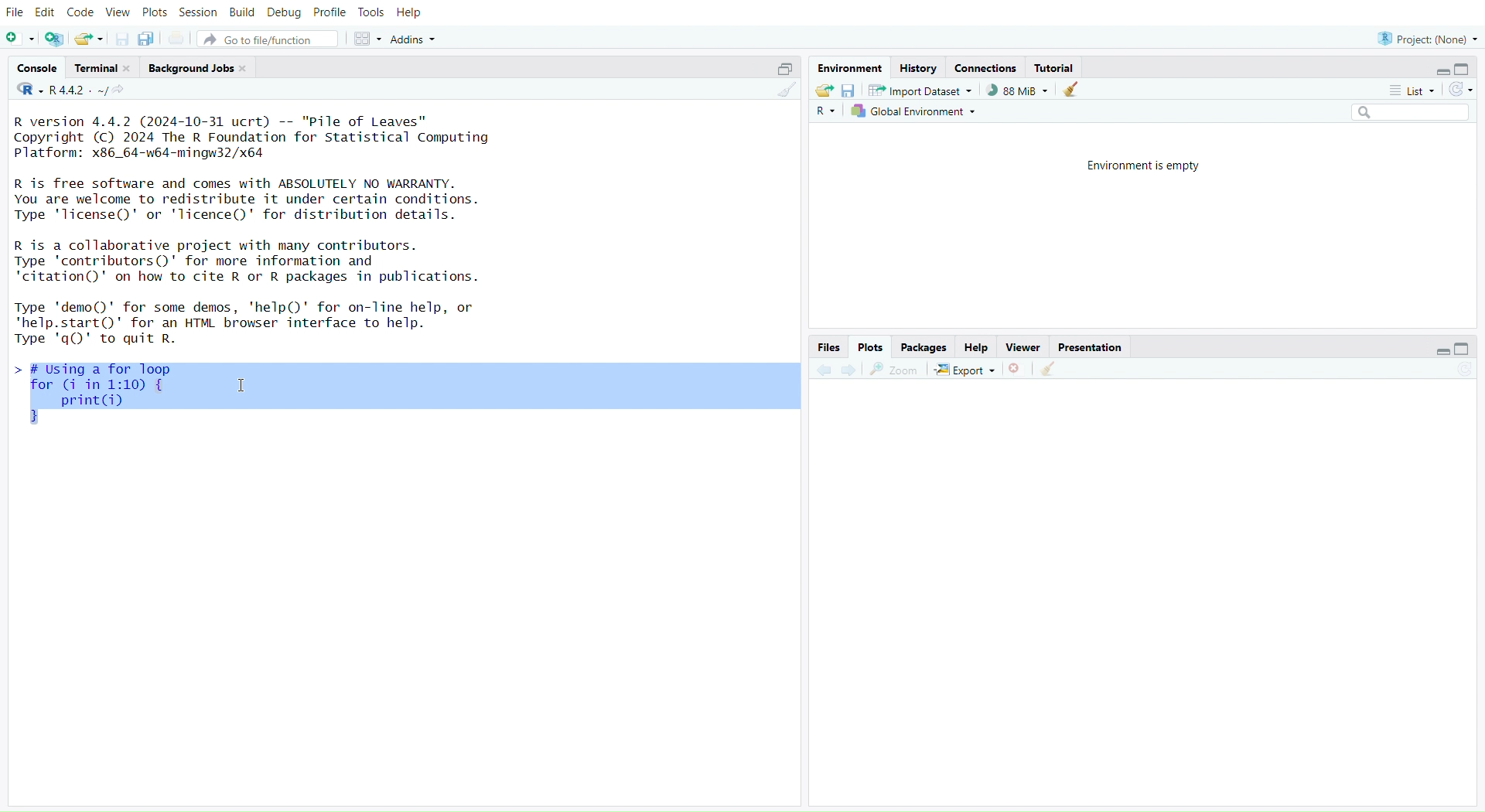  What do you see at coordinates (824, 370) in the screenshot?
I see `backward` at bounding box center [824, 370].